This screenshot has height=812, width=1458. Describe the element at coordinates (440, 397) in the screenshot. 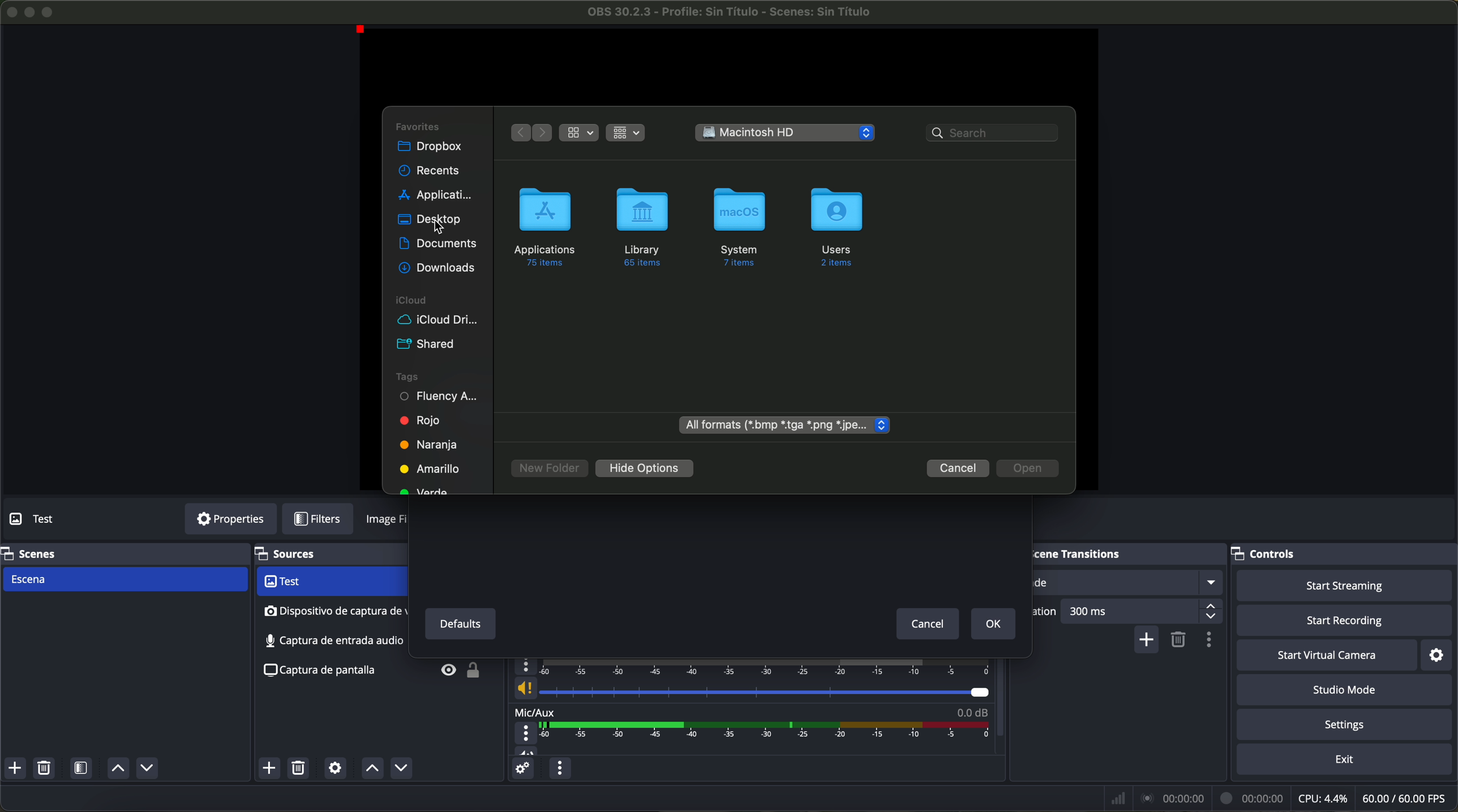

I see `fluency academy` at that location.